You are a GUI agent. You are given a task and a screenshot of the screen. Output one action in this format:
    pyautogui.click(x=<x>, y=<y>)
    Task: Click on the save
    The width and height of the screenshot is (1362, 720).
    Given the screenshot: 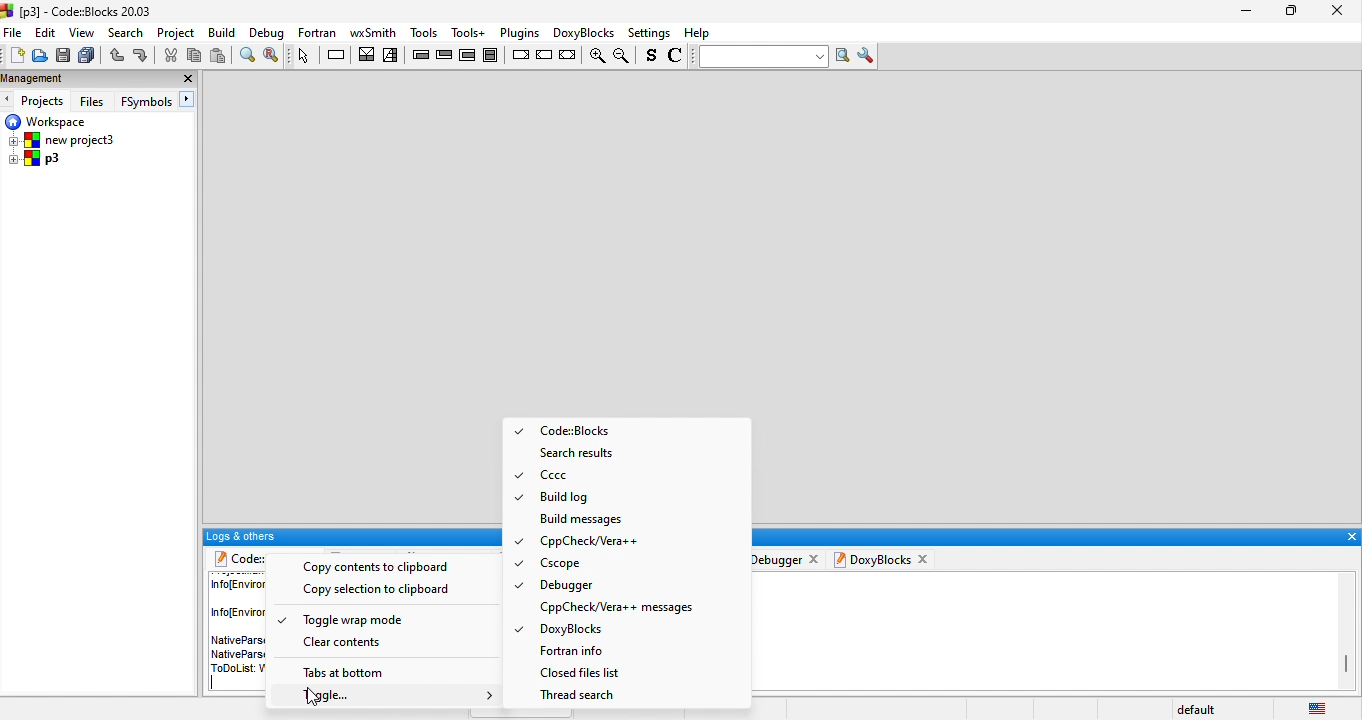 What is the action you would take?
    pyautogui.click(x=62, y=56)
    